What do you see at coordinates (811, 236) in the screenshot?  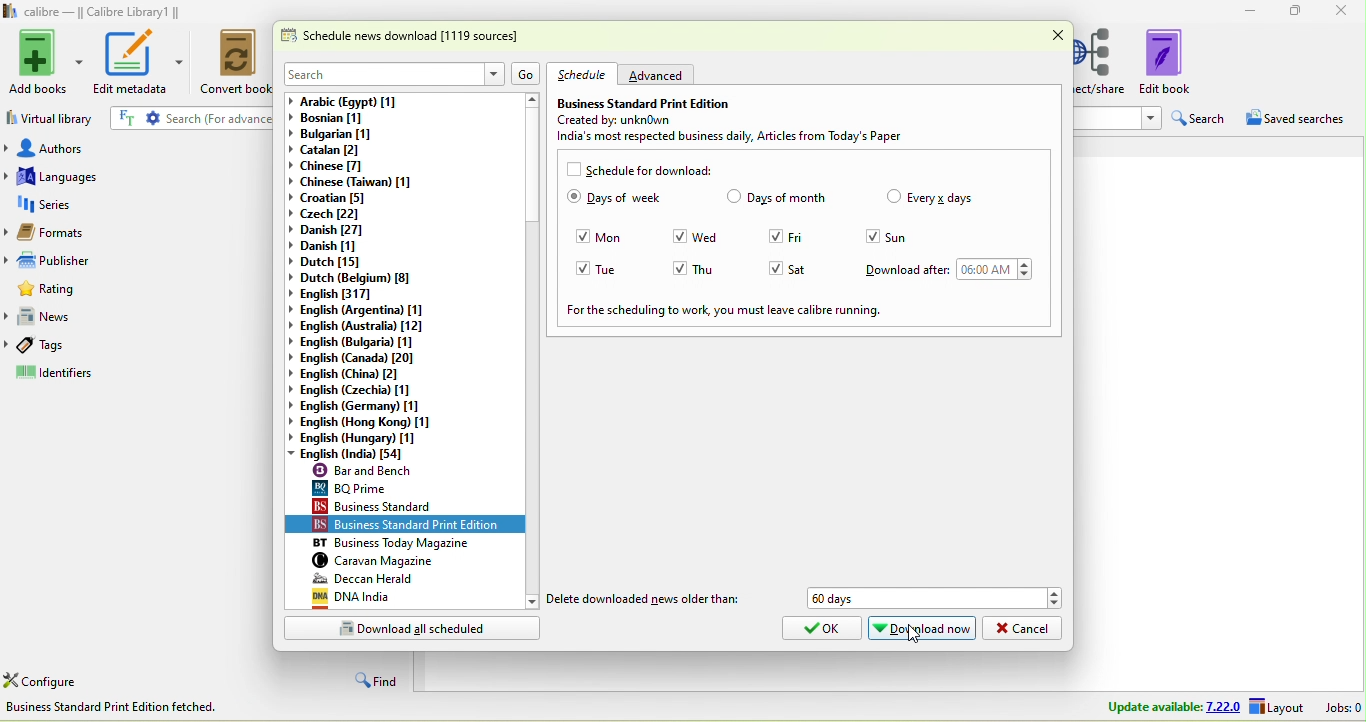 I see `fri` at bounding box center [811, 236].